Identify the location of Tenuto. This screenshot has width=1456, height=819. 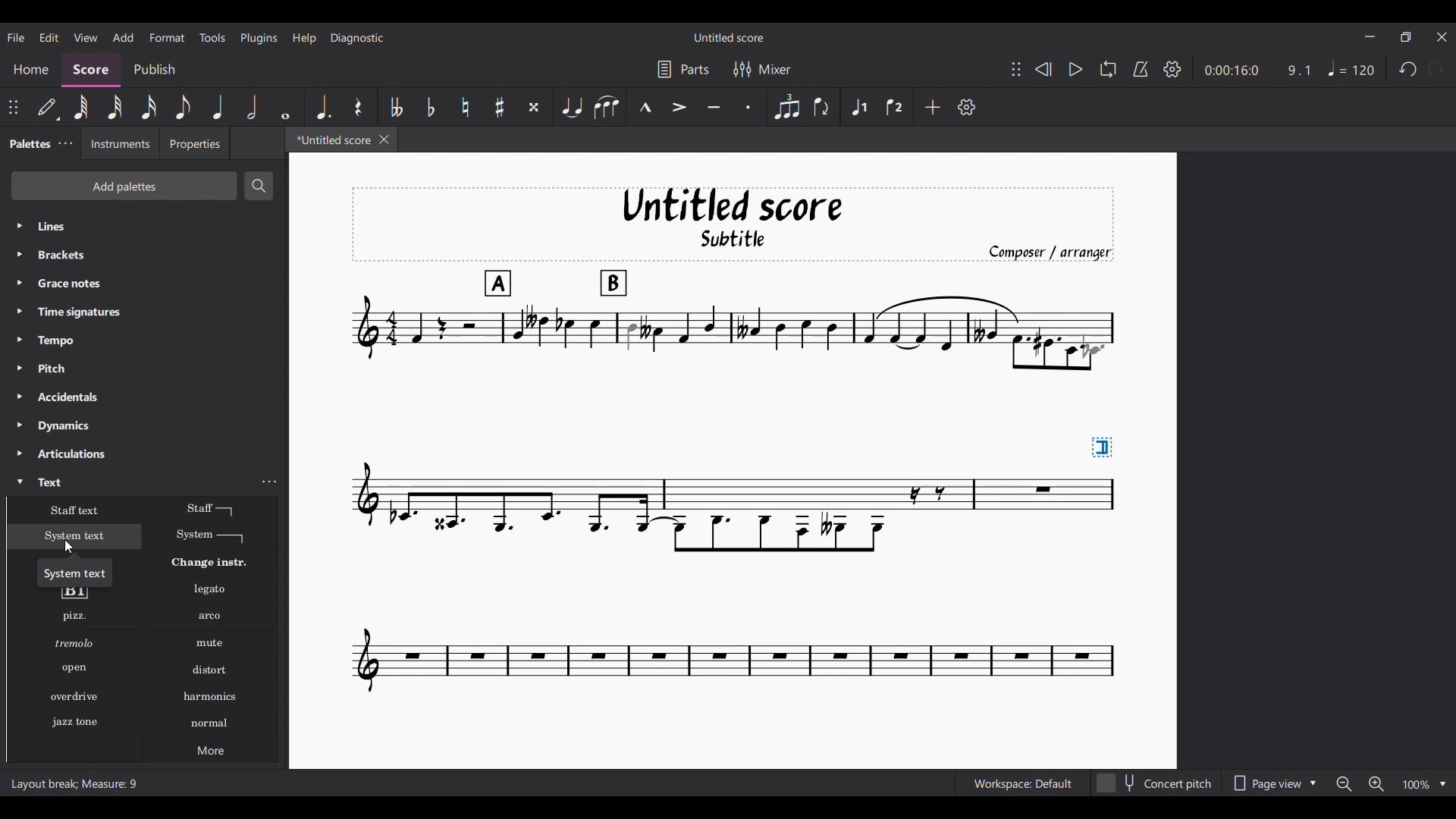
(714, 108).